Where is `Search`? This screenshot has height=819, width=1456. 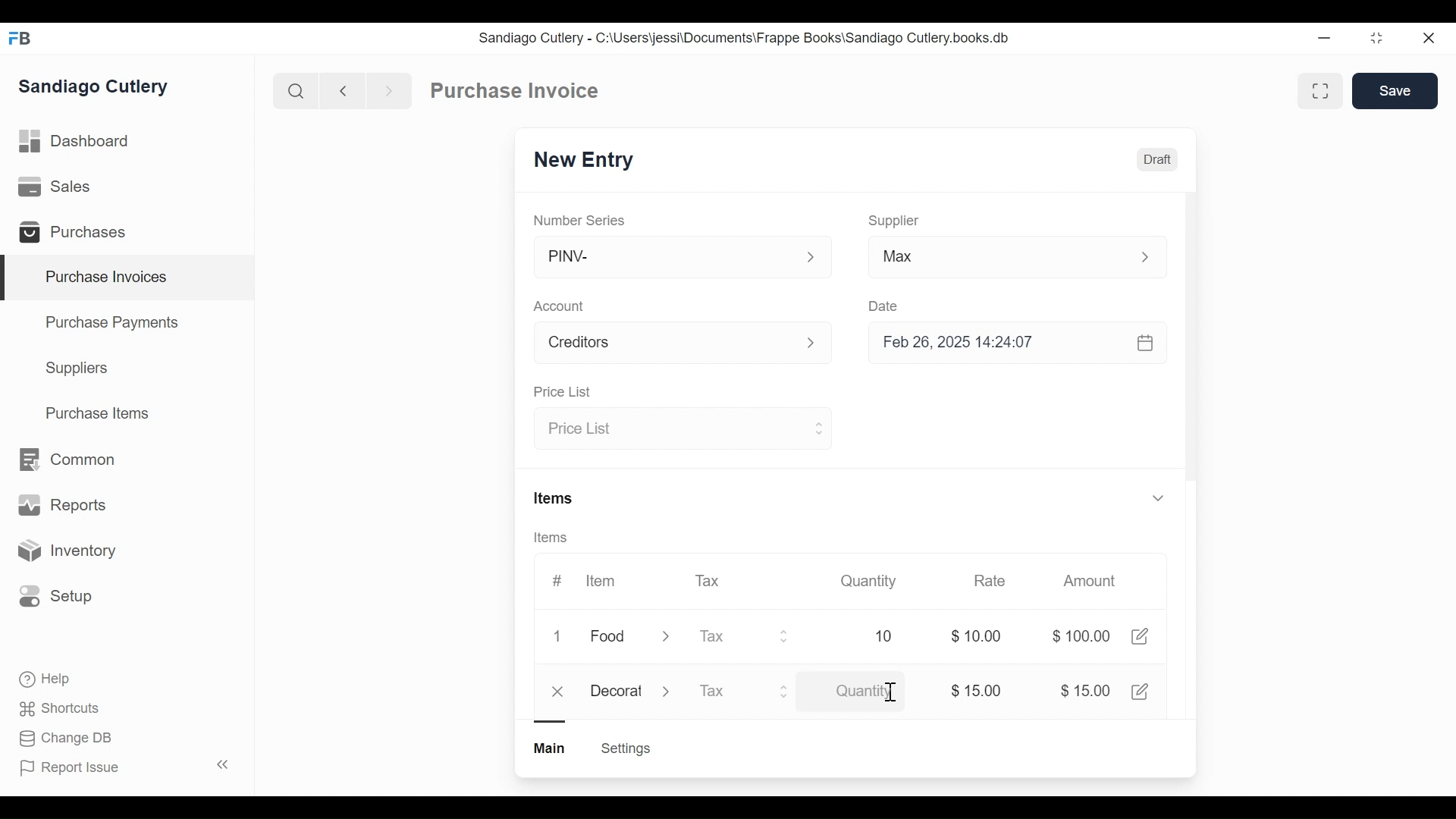
Search is located at coordinates (296, 90).